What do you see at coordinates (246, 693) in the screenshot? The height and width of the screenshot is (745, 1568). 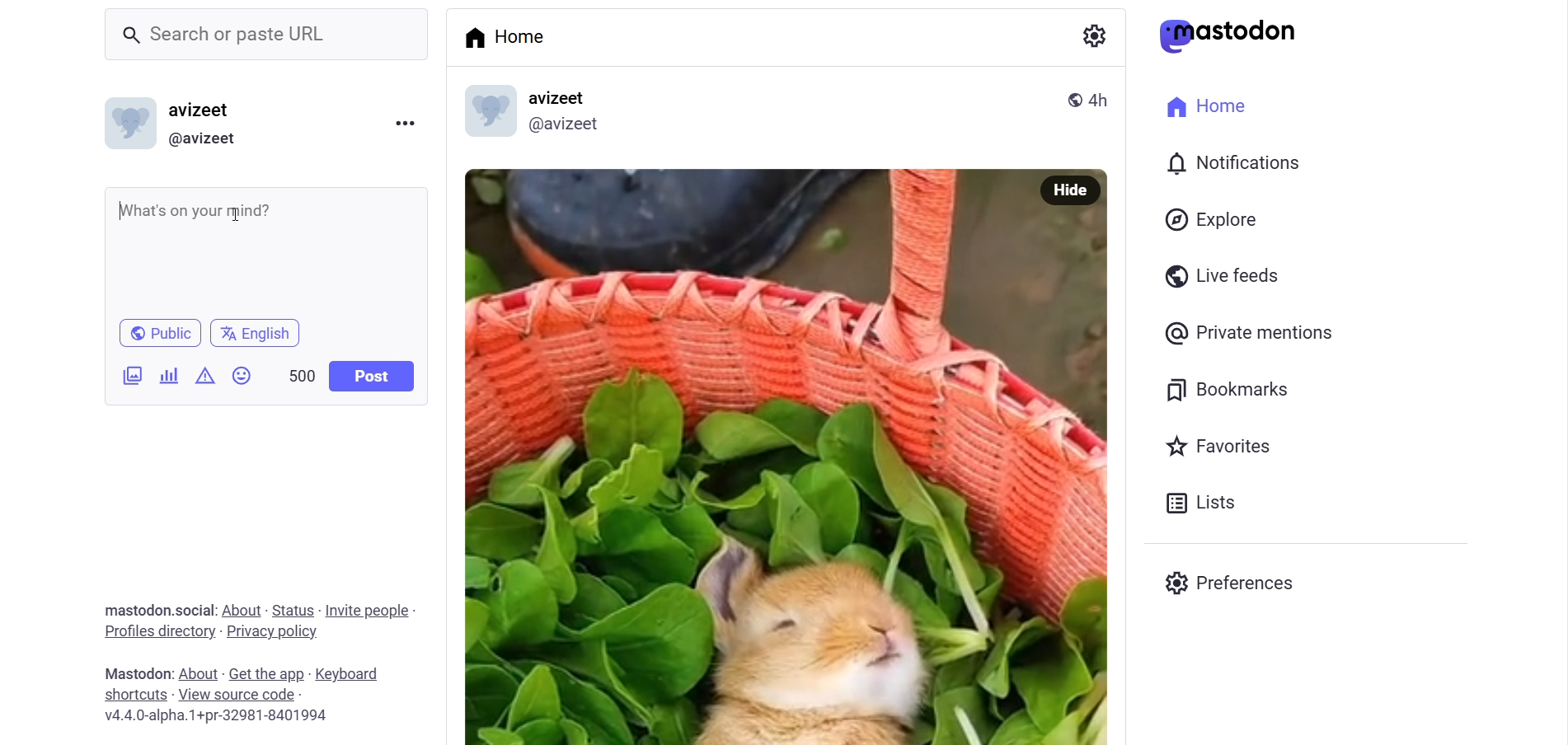 I see `source code` at bounding box center [246, 693].